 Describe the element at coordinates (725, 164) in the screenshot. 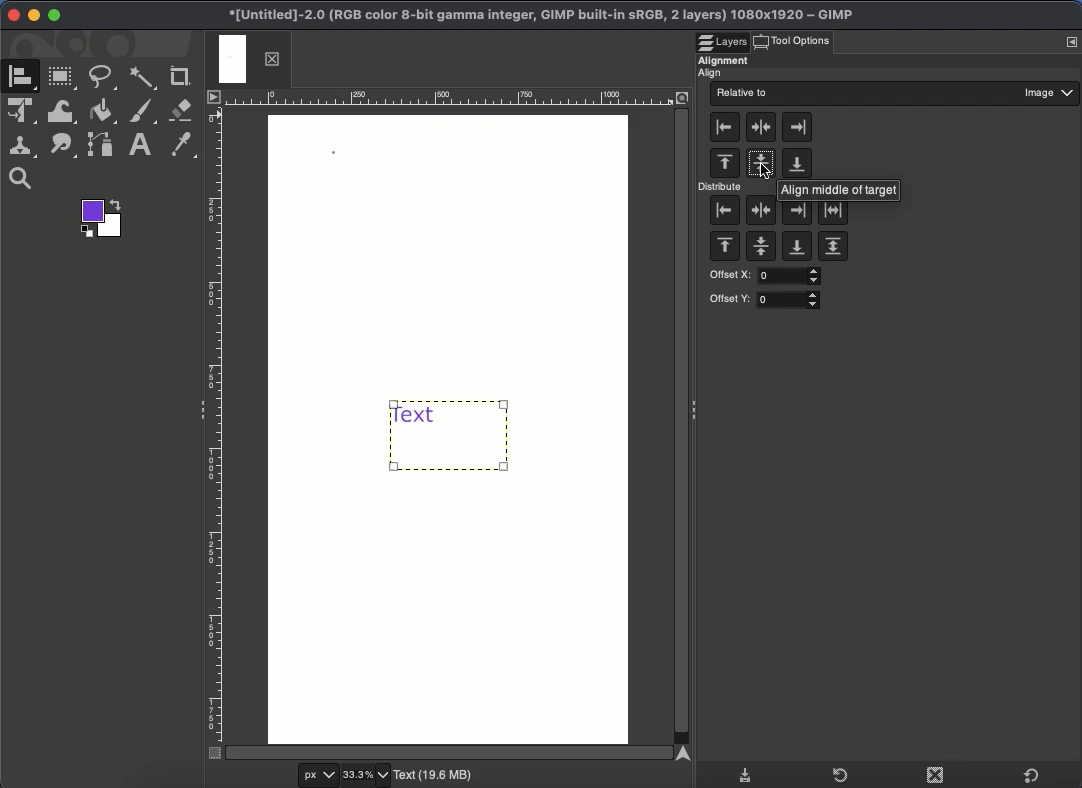

I see `Align to the top` at that location.